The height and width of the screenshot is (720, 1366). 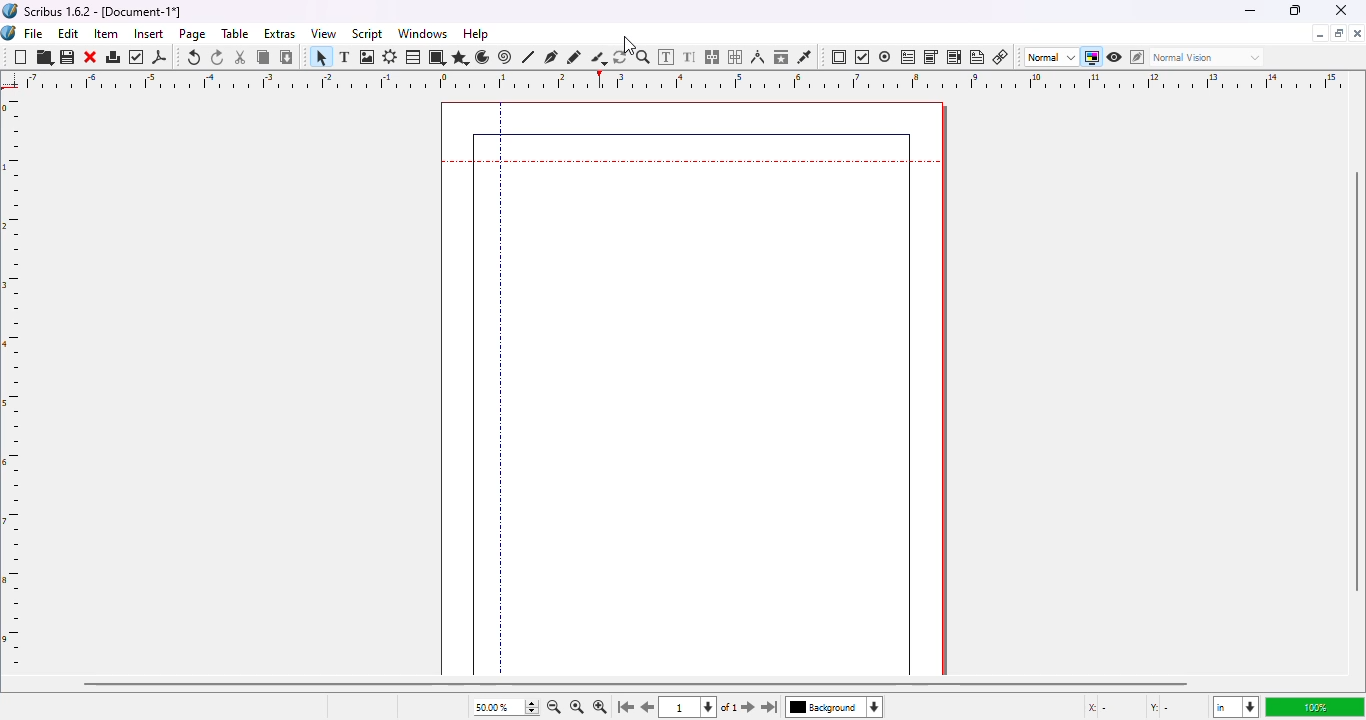 I want to click on vertical guide, so click(x=502, y=424).